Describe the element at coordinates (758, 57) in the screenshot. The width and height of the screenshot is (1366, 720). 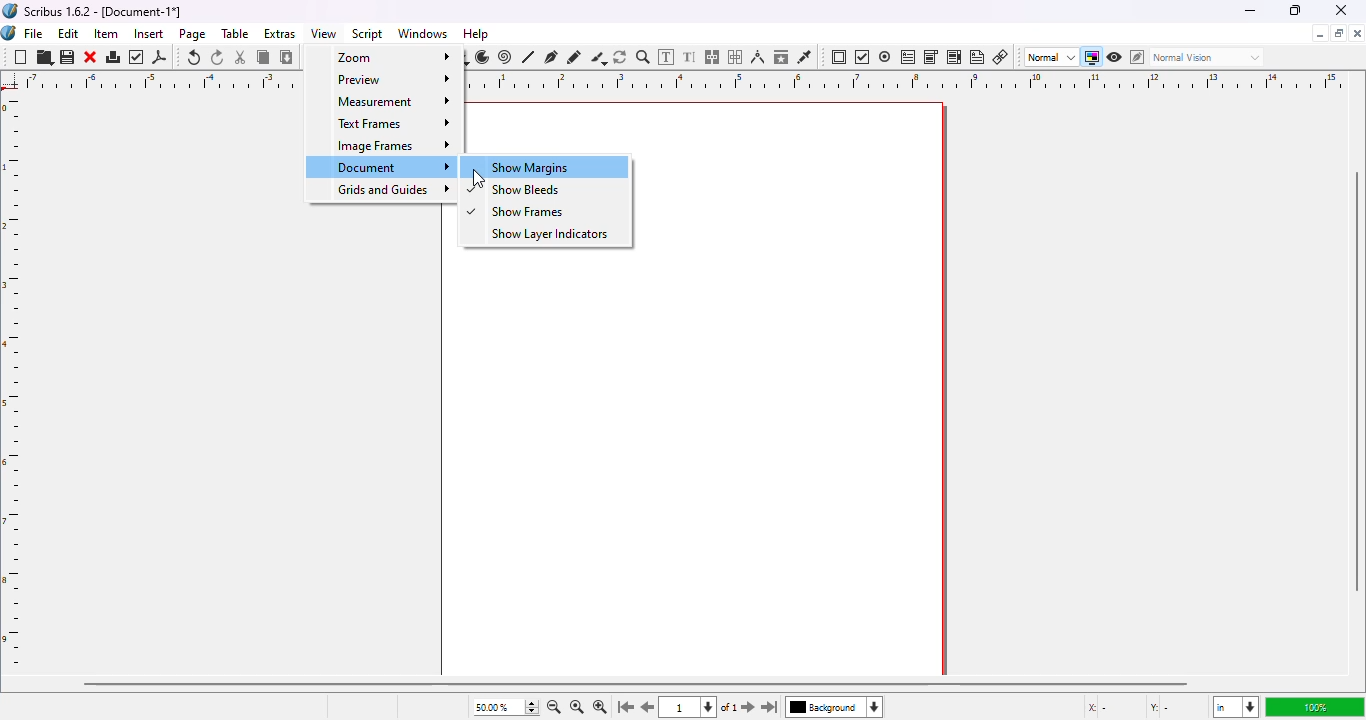
I see `measurements` at that location.